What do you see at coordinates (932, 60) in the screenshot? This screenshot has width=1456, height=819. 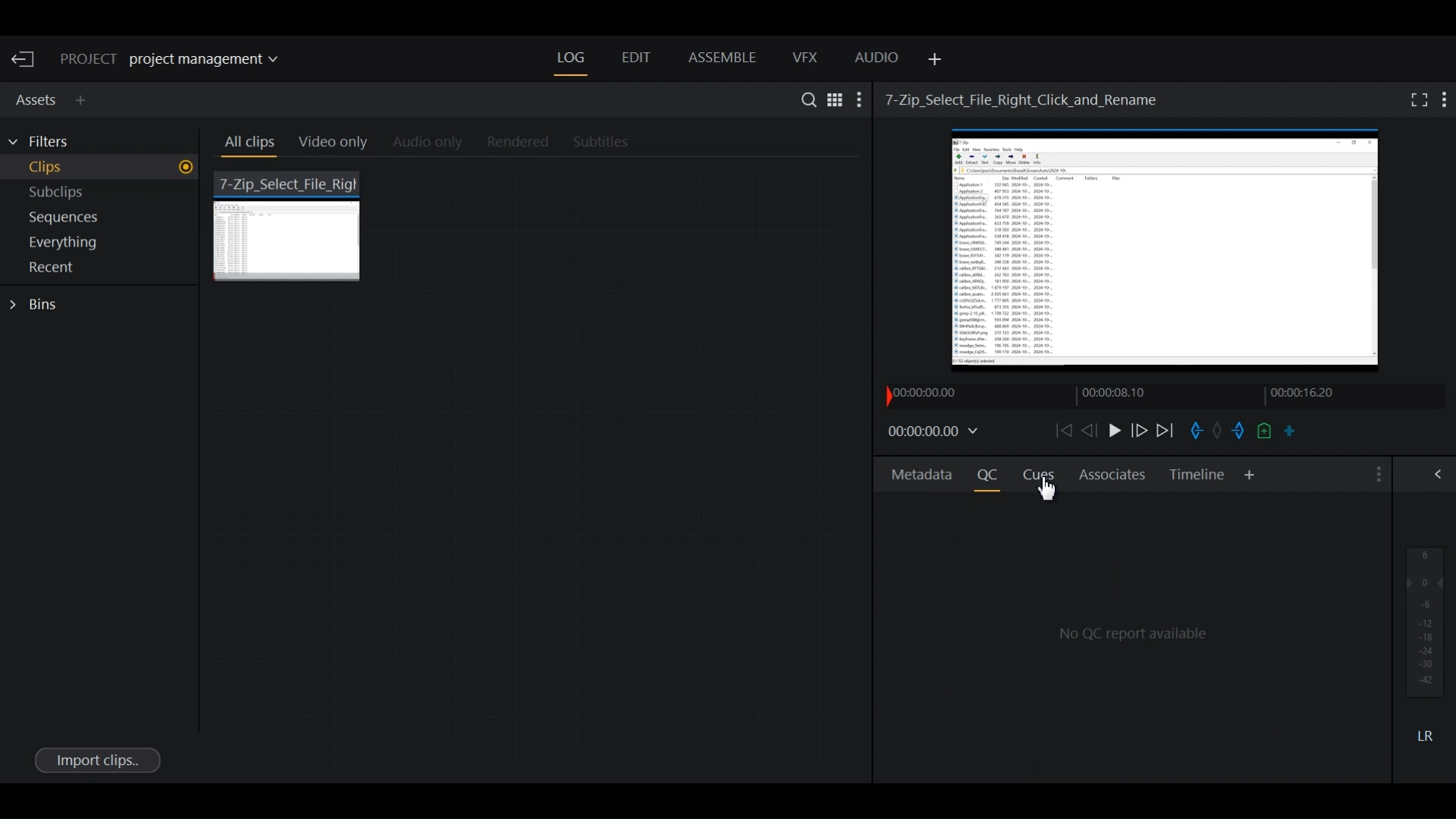 I see `Add Panel` at bounding box center [932, 60].